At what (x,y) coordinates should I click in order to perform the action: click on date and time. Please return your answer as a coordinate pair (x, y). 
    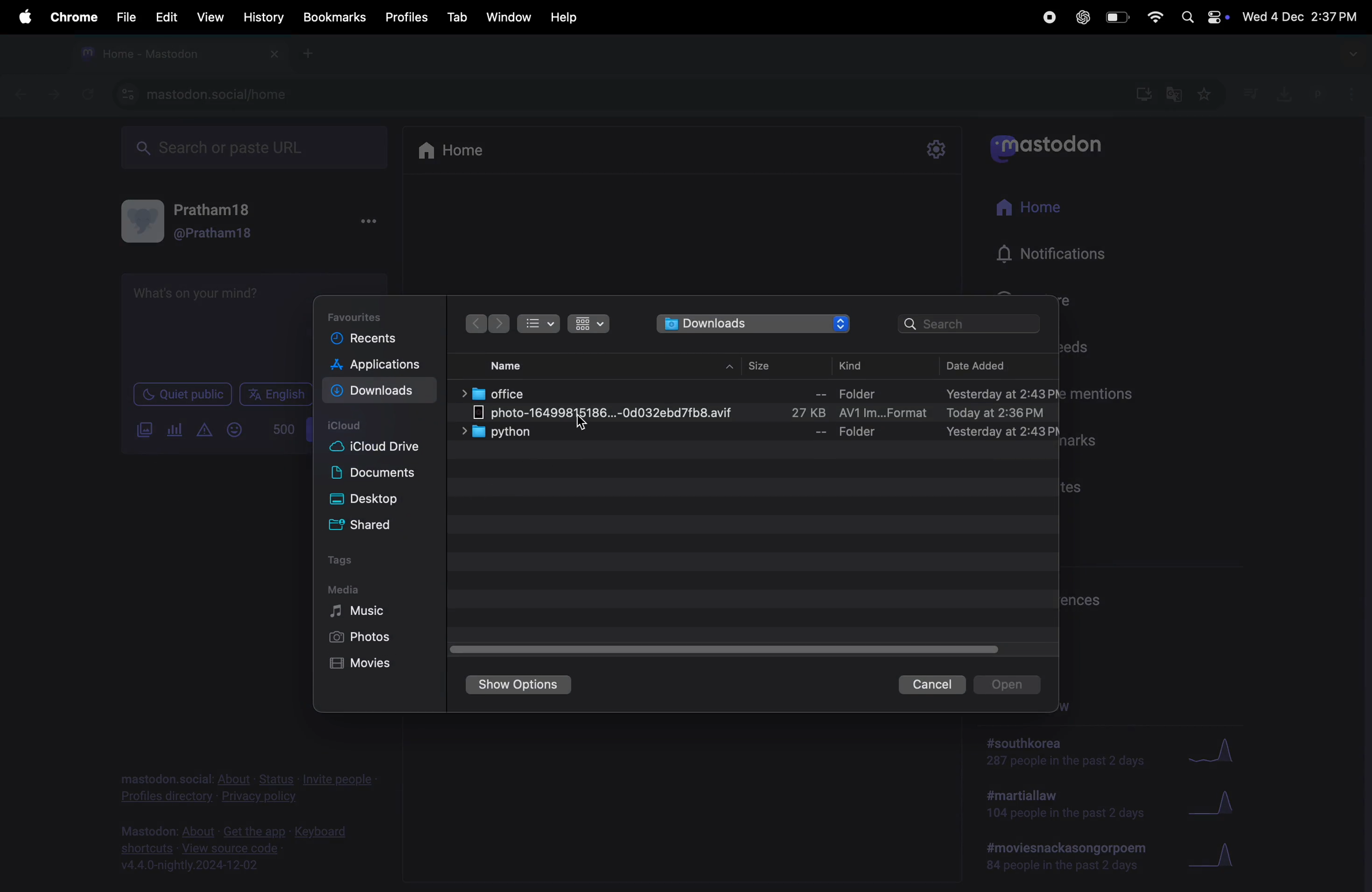
    Looking at the image, I should click on (1302, 14).